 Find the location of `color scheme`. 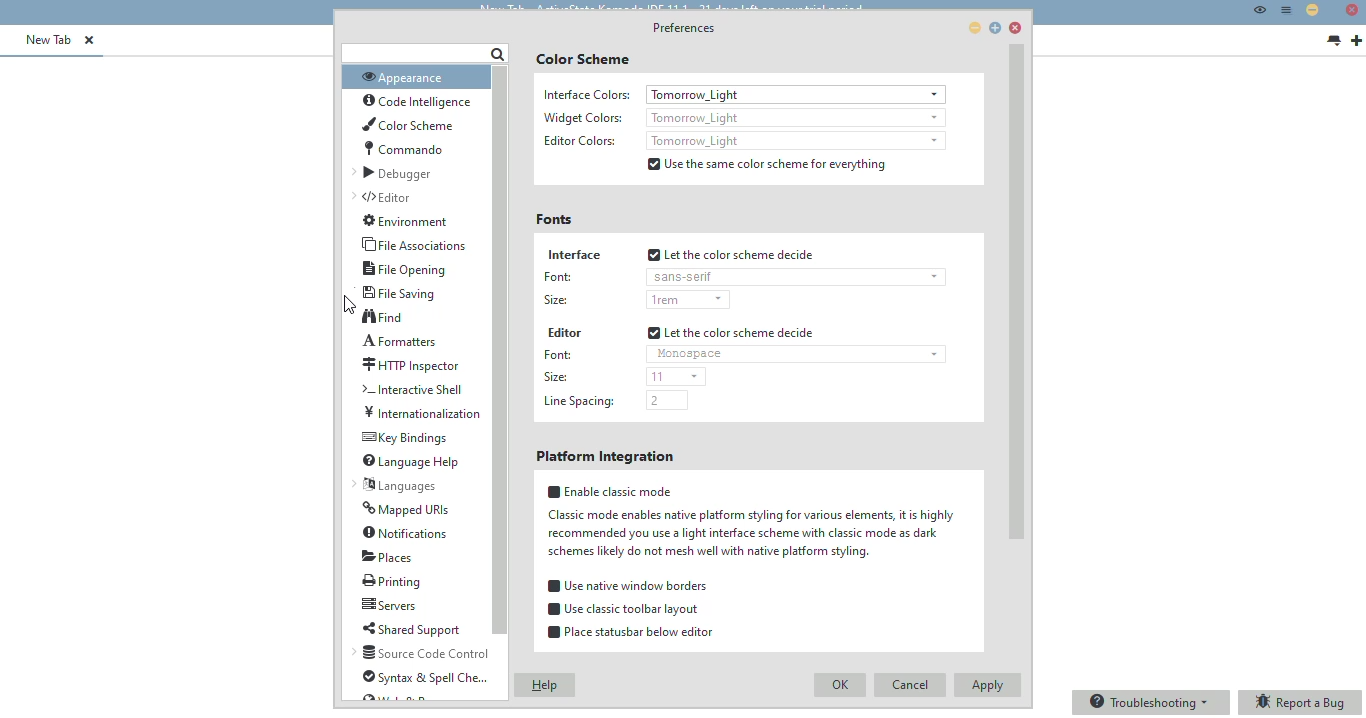

color scheme is located at coordinates (583, 59).